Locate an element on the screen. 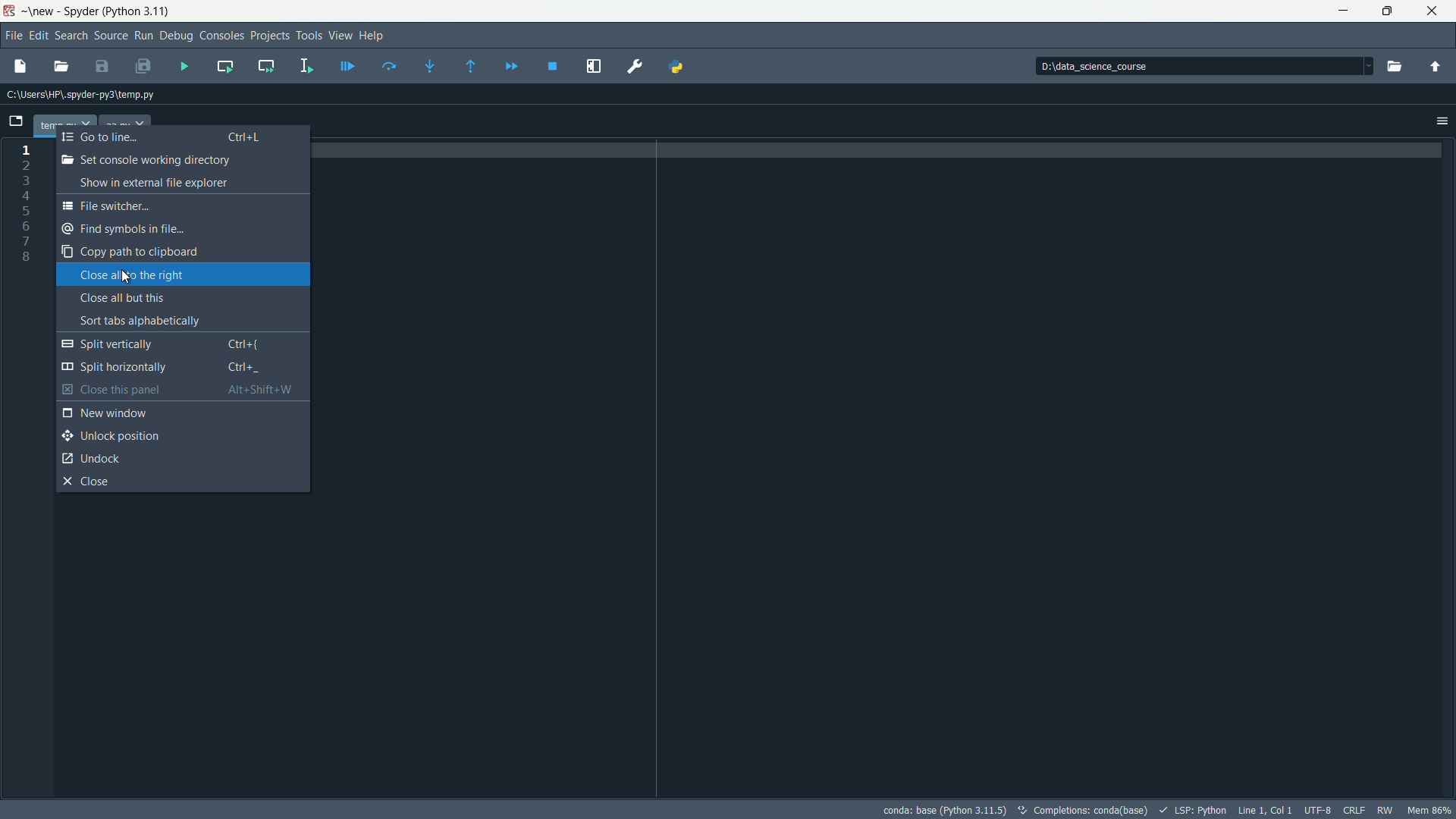  PYTHONPATH manager is located at coordinates (686, 66).